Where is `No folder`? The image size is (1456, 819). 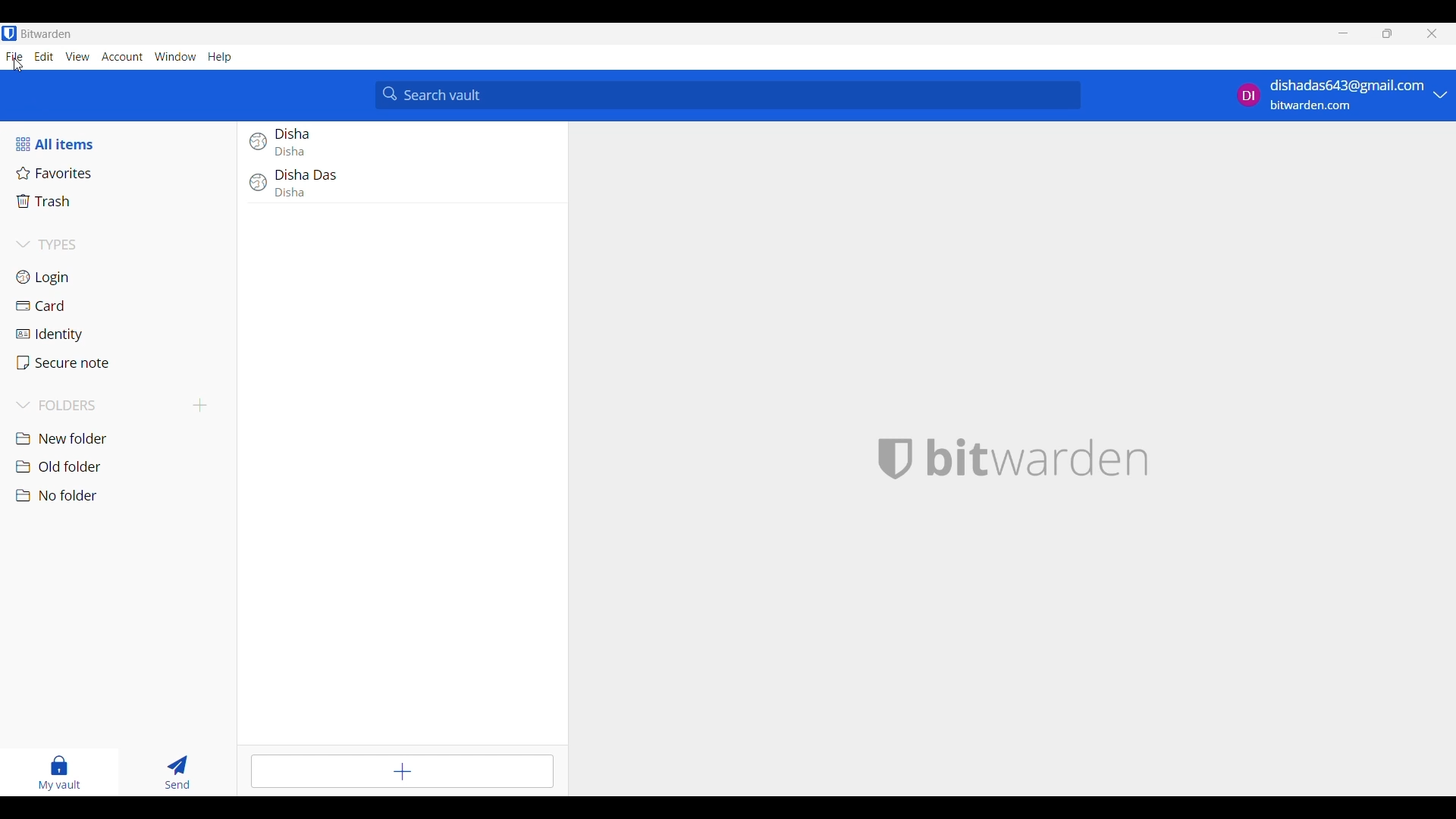
No folder is located at coordinates (123, 496).